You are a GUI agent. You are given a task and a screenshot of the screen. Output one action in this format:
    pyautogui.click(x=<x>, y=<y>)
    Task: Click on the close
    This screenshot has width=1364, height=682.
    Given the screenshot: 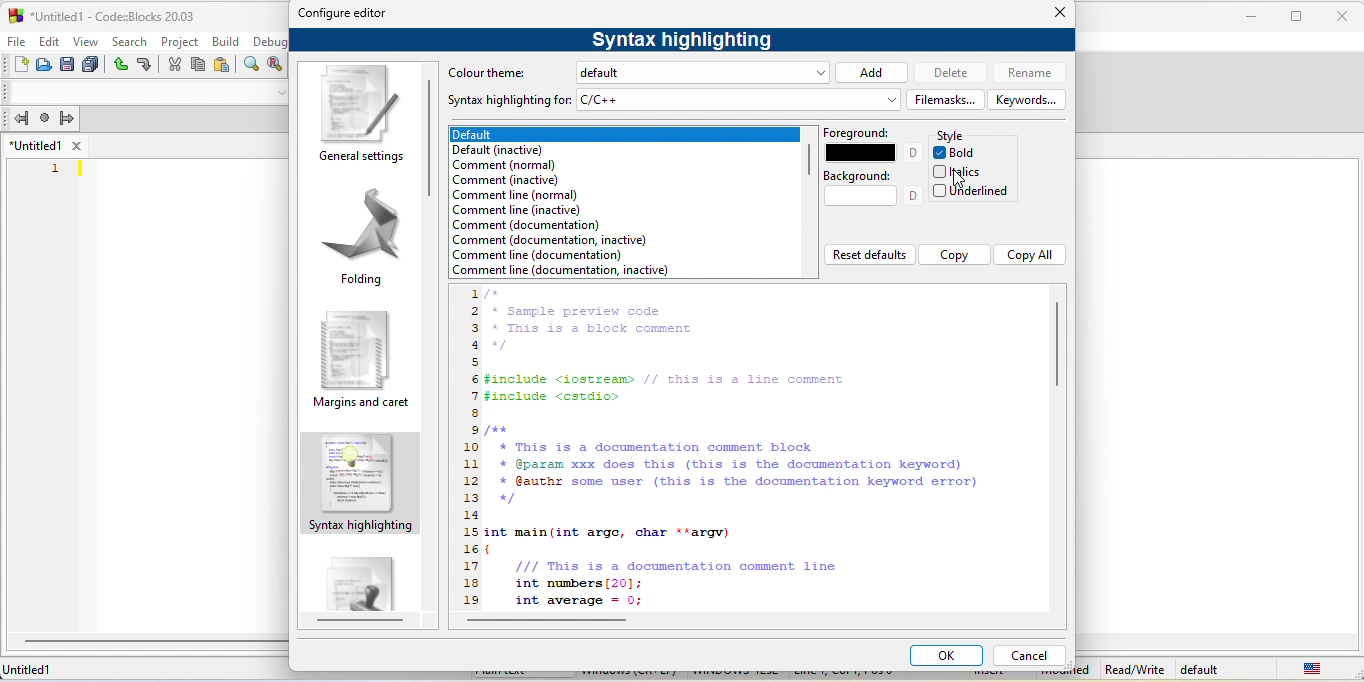 What is the action you would take?
    pyautogui.click(x=1341, y=17)
    